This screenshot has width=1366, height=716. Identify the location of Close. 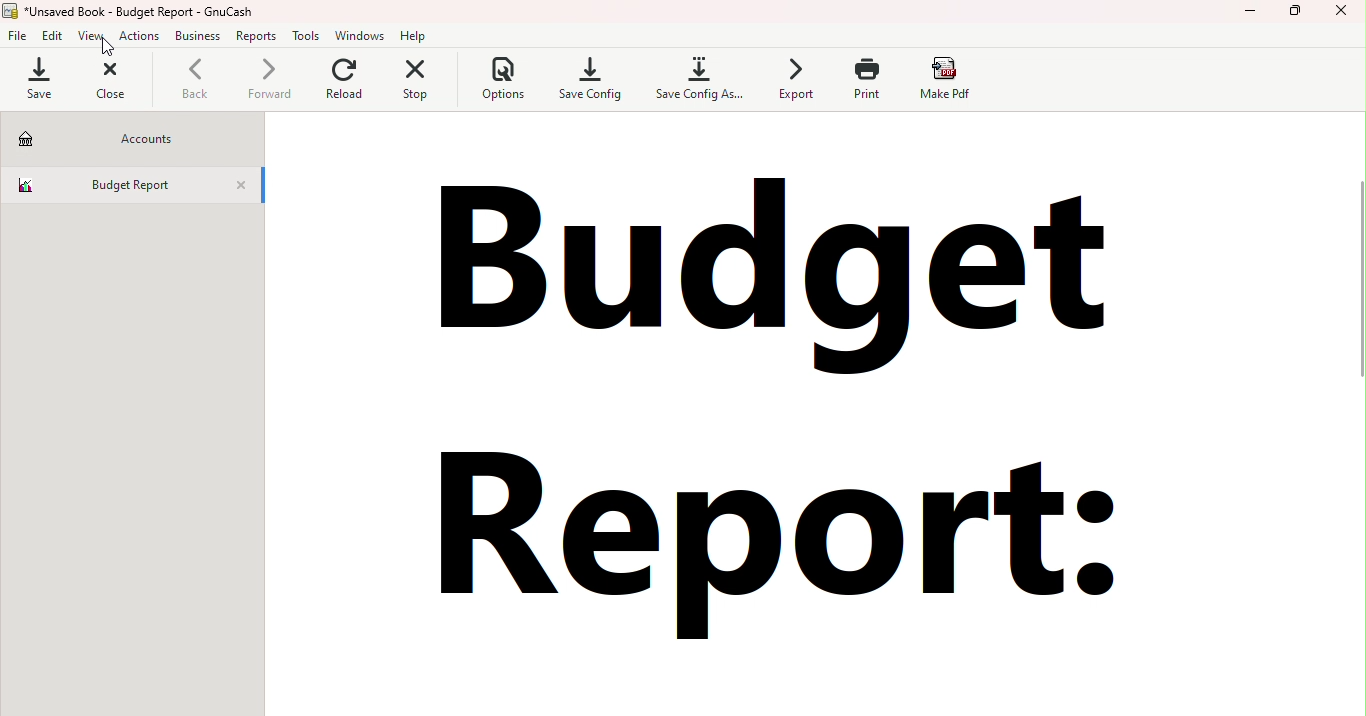
(110, 83).